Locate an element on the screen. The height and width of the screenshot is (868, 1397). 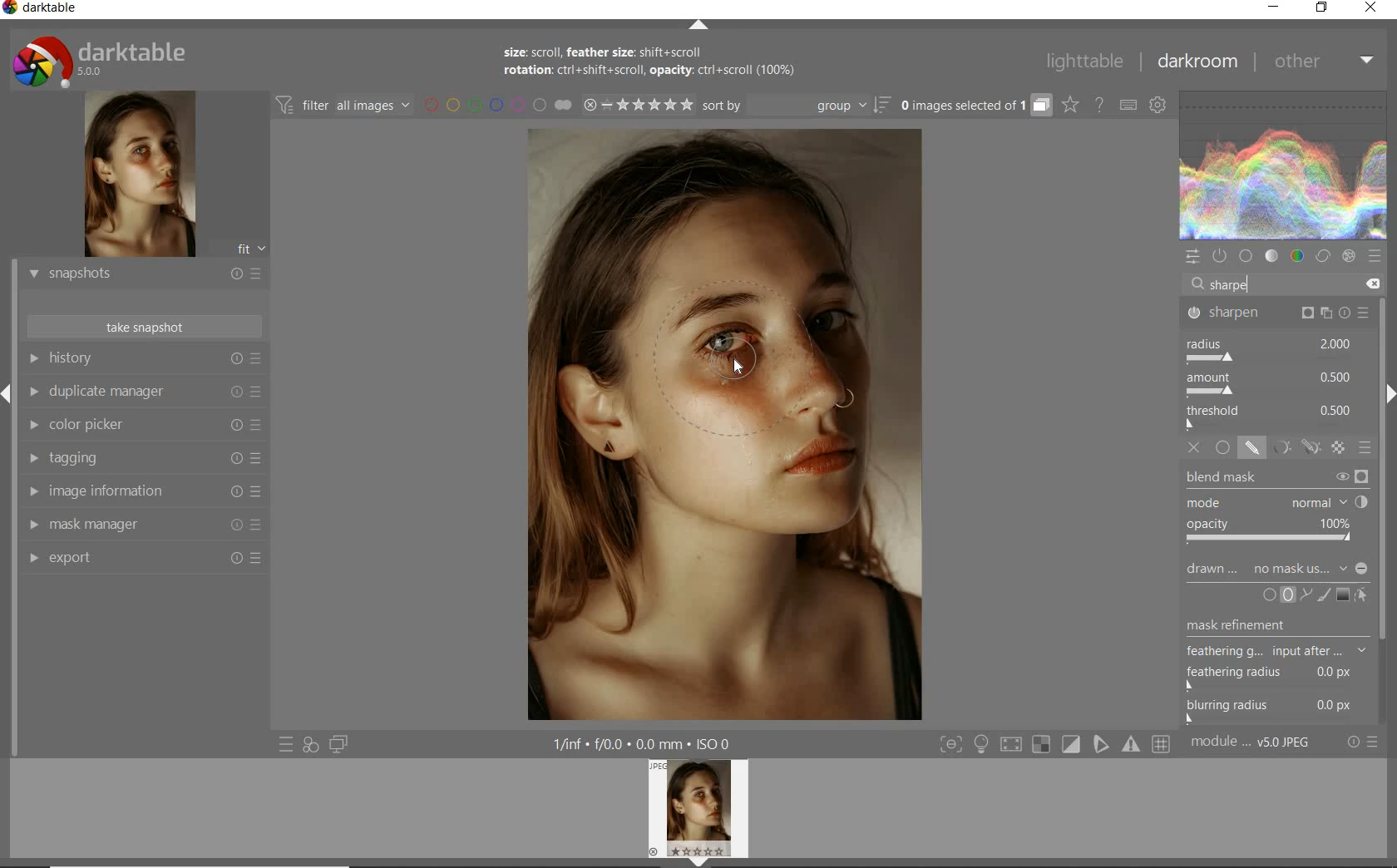
enable online help is located at coordinates (1100, 106).